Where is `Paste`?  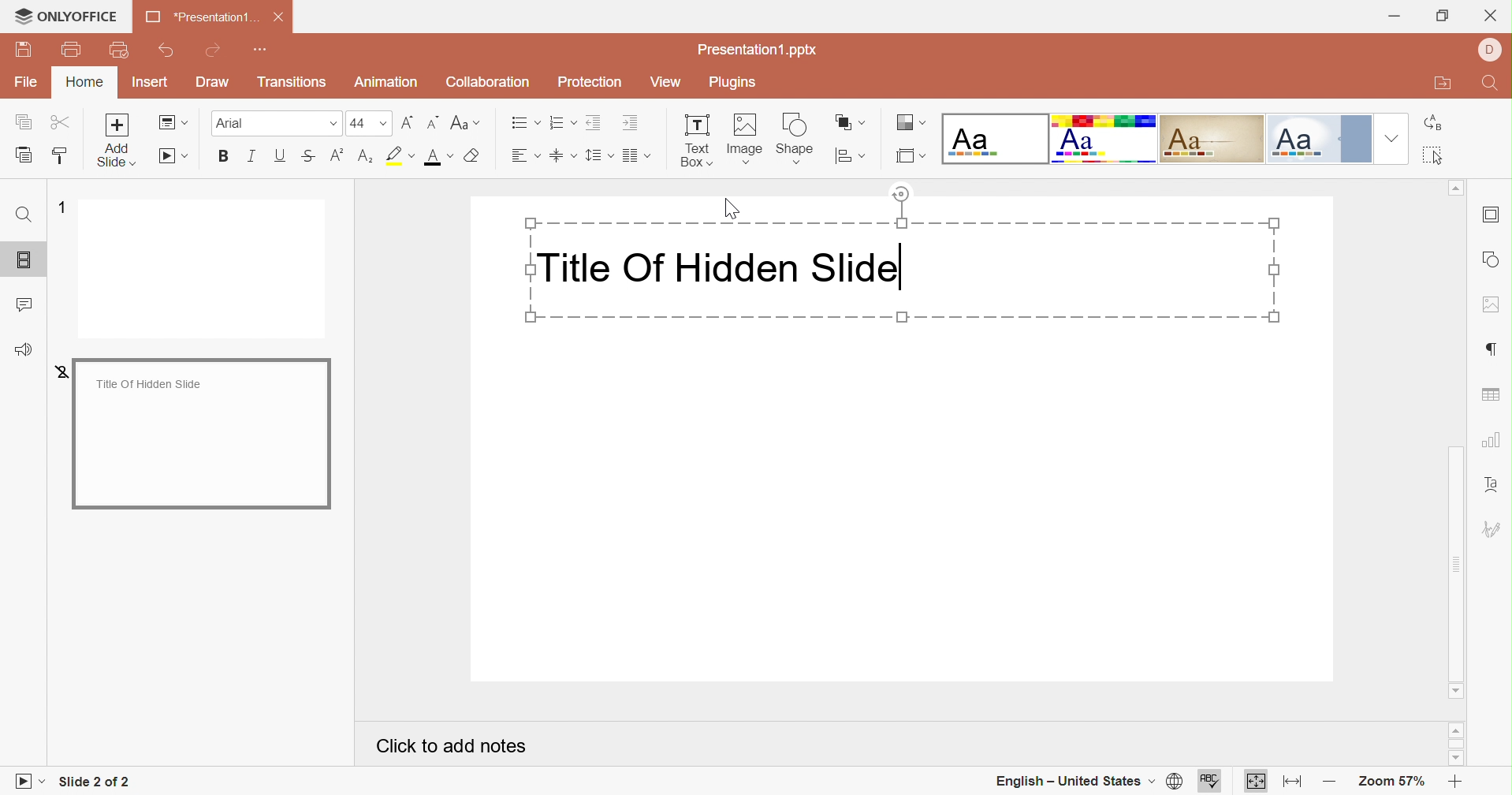 Paste is located at coordinates (26, 155).